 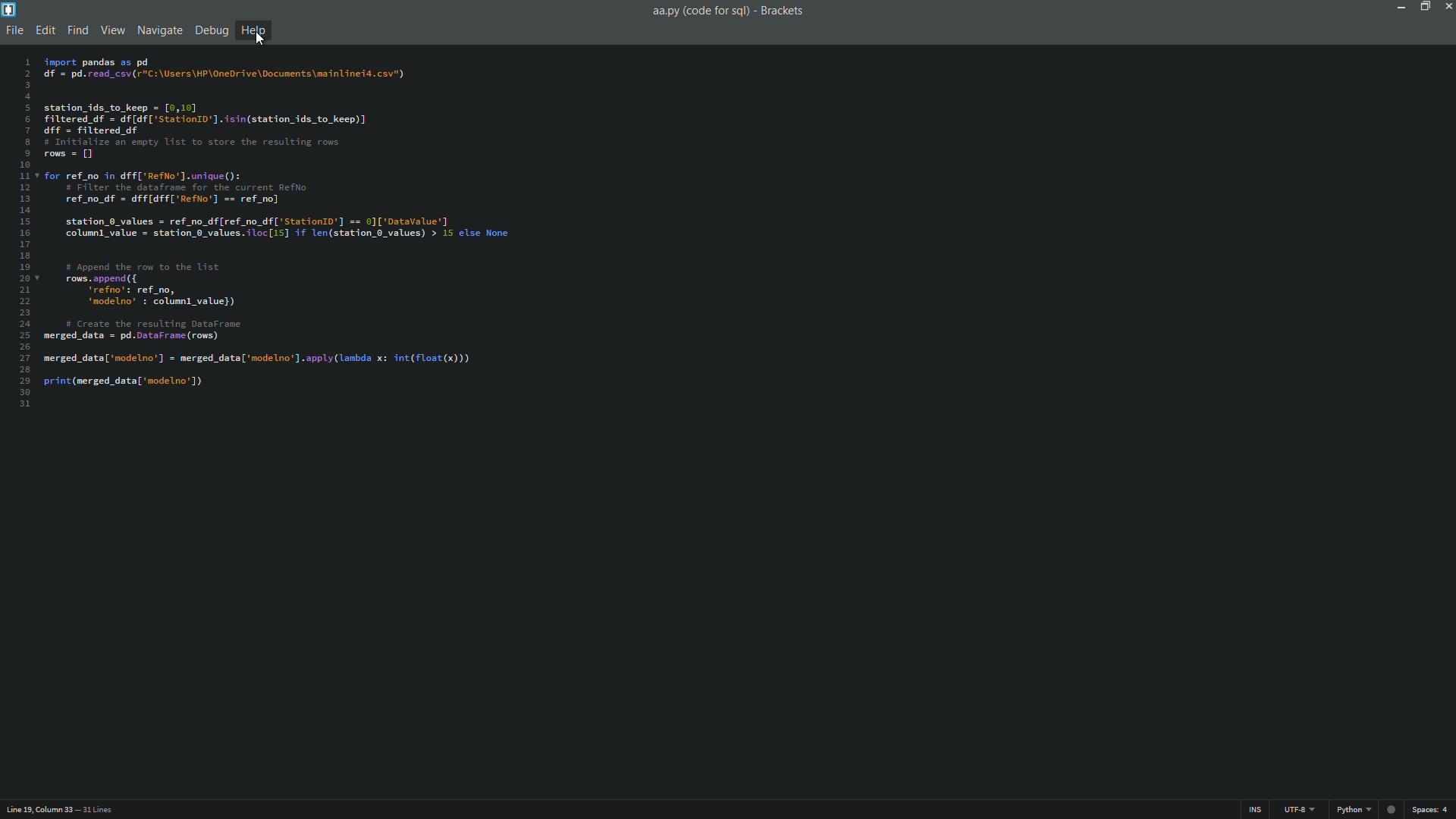 I want to click on line encoding, so click(x=1296, y=810).